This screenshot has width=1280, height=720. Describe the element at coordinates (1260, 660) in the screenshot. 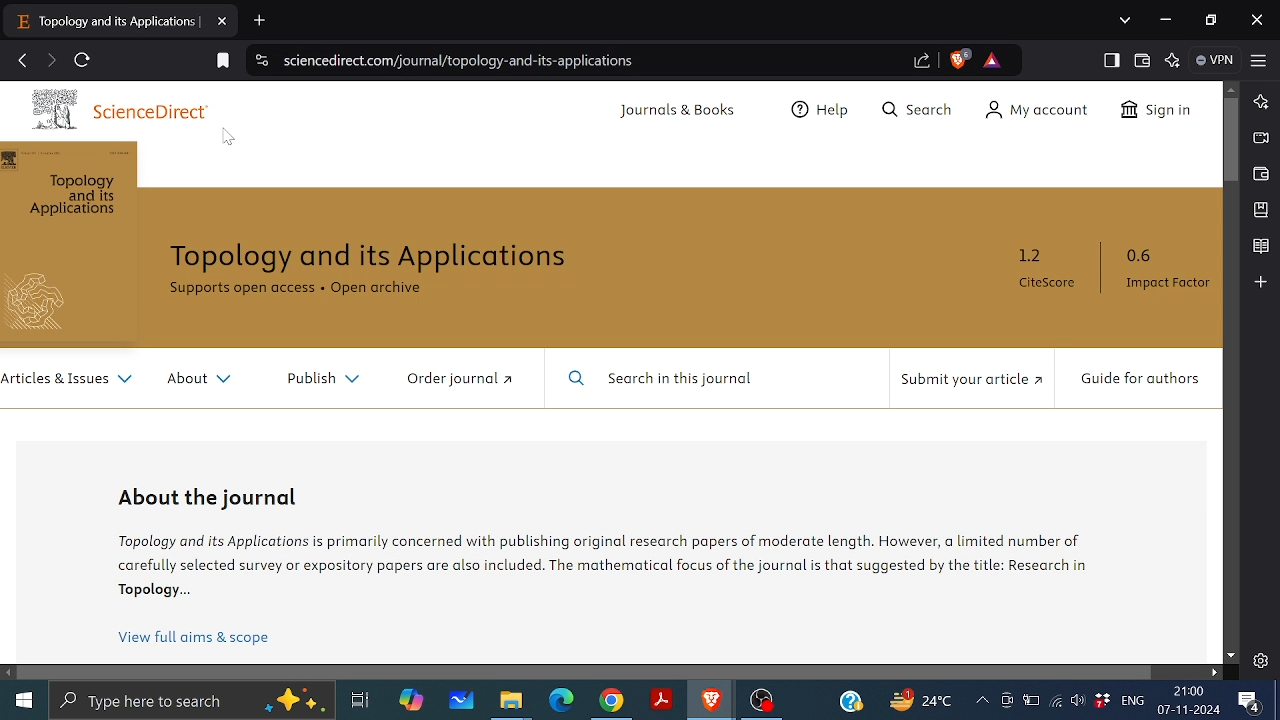

I see `Settings` at that location.